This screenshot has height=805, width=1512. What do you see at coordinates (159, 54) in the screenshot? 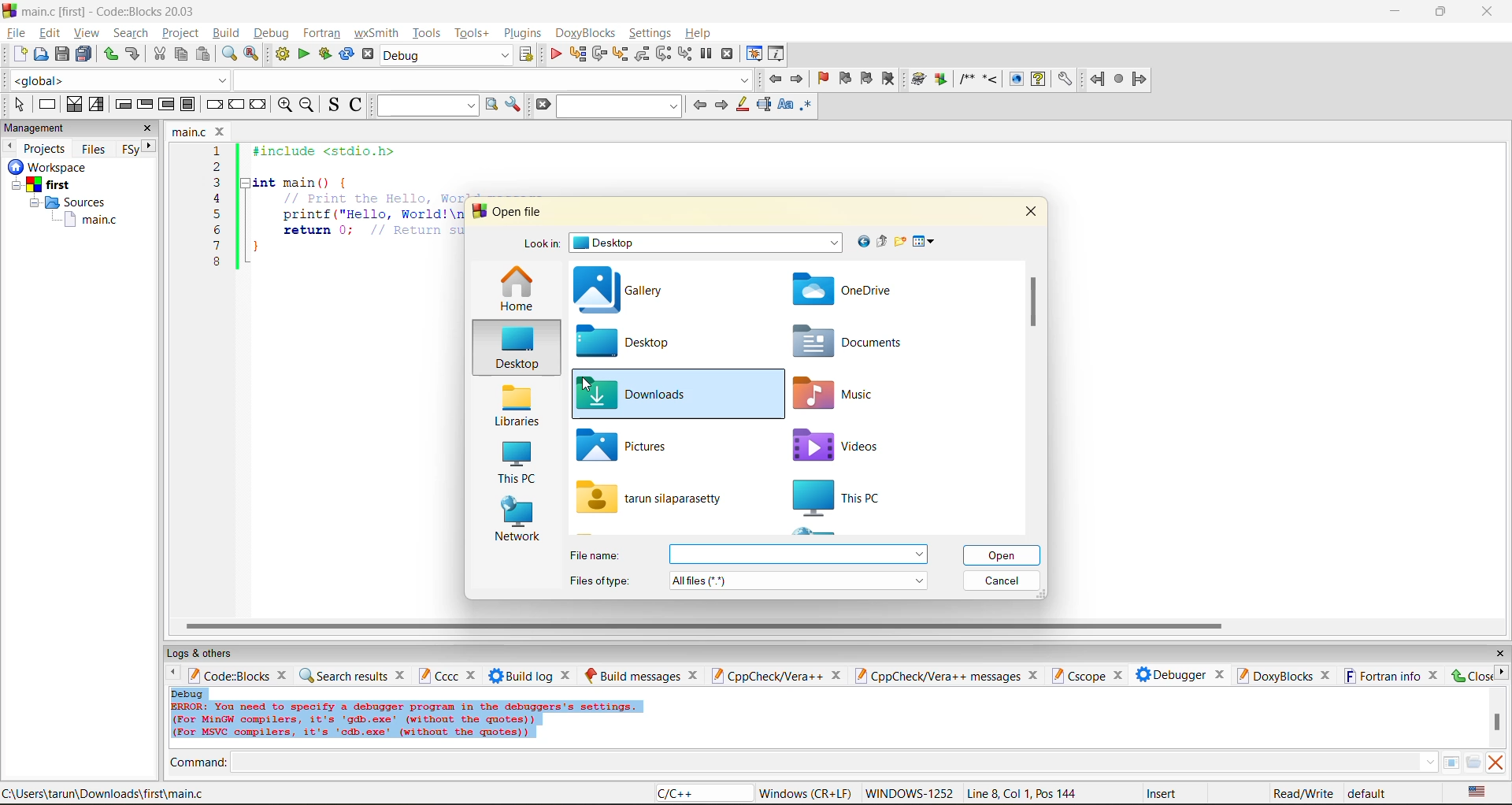
I see `cut` at bounding box center [159, 54].